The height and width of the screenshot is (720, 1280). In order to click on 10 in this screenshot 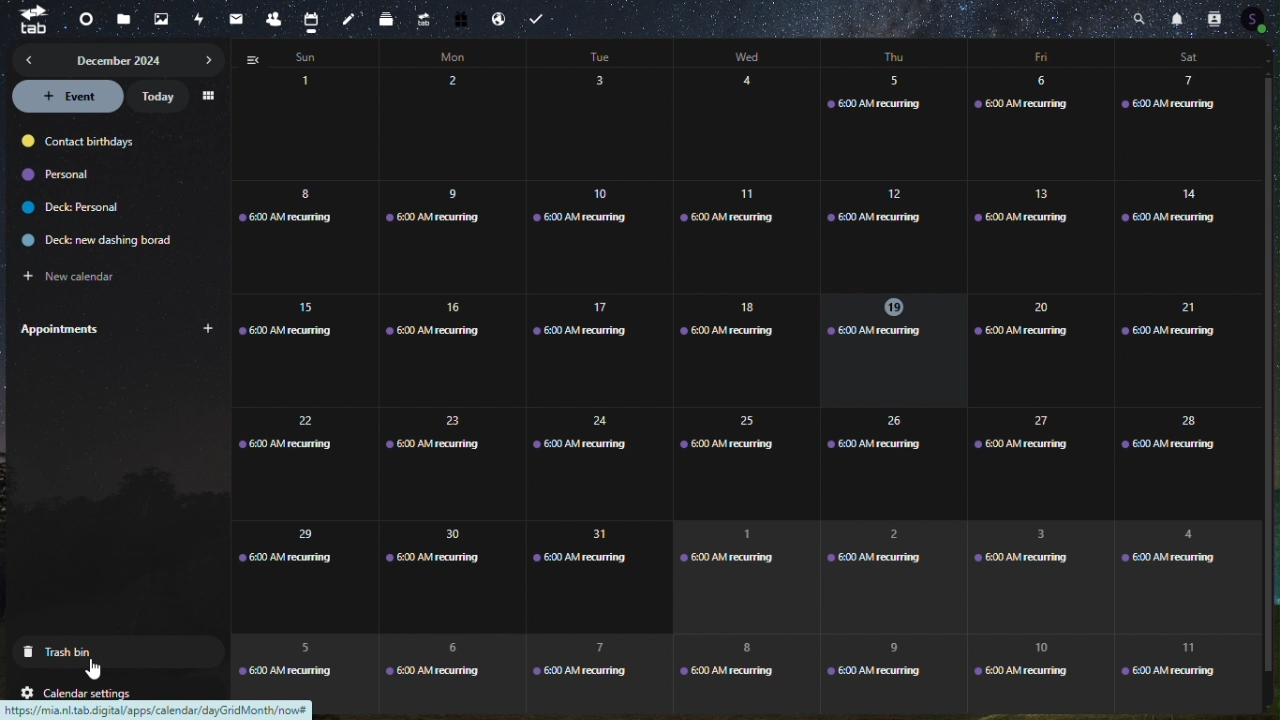, I will do `click(599, 239)`.